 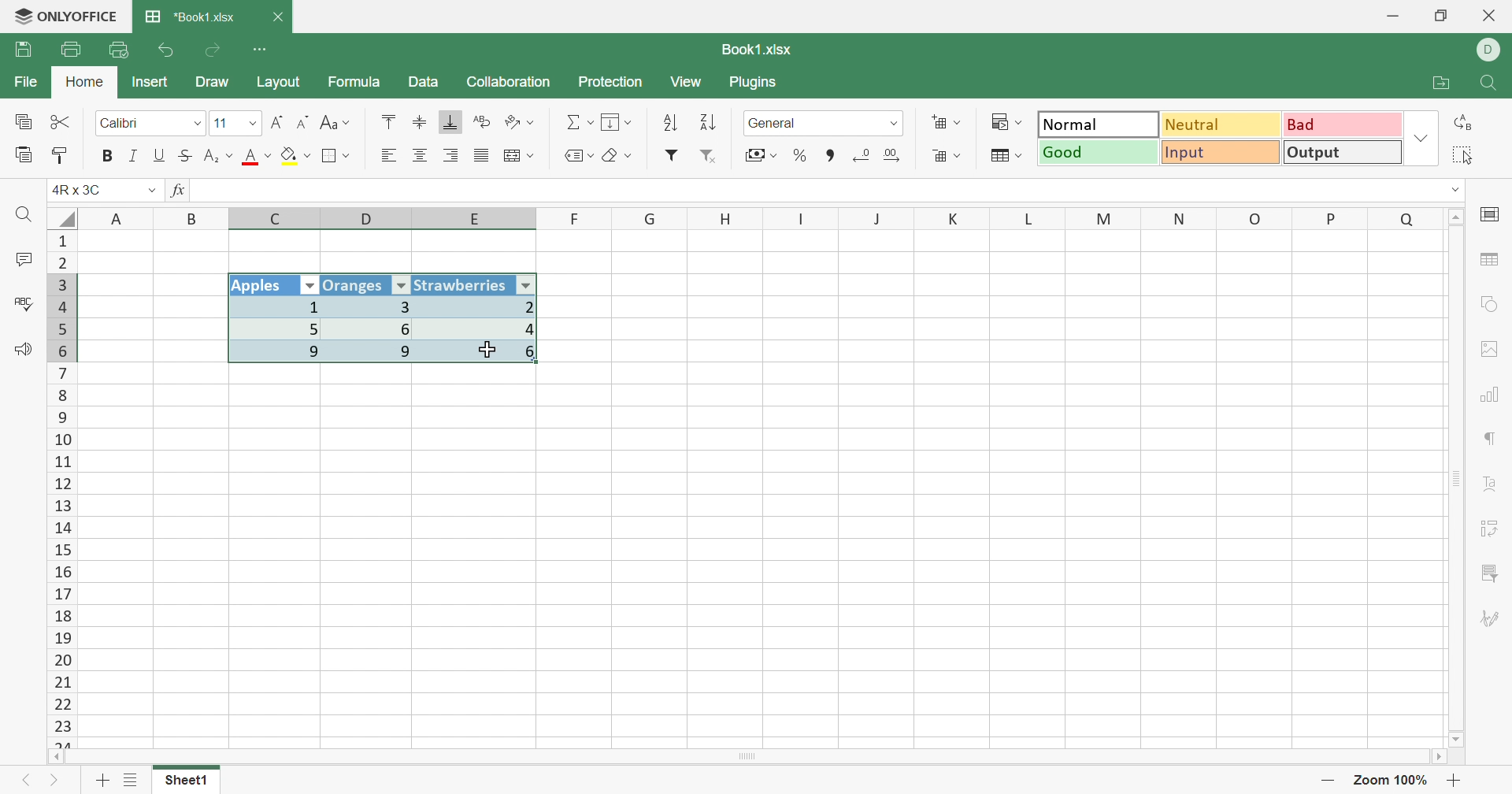 I want to click on shape settings, so click(x=1488, y=304).